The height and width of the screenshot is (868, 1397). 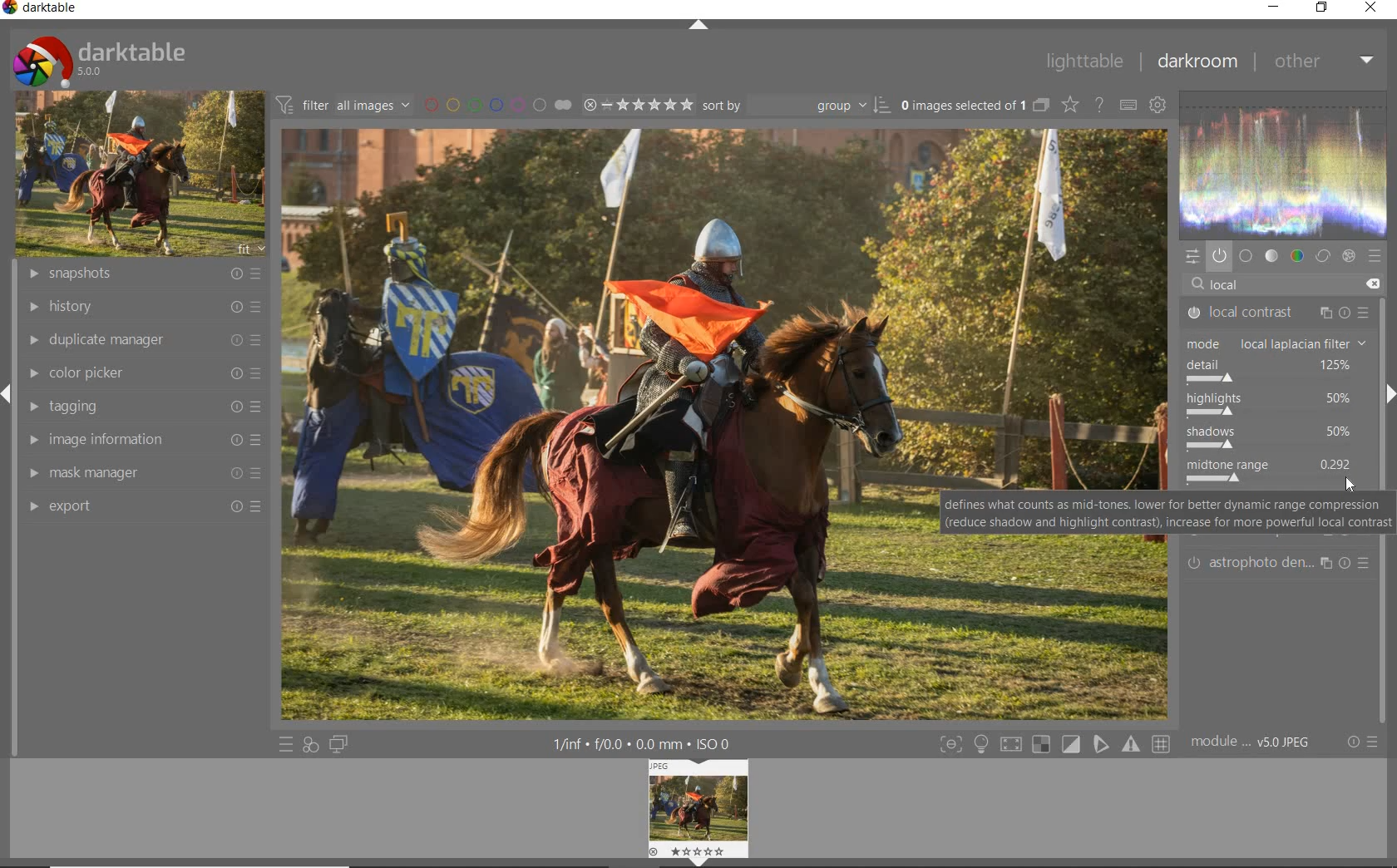 I want to click on snapshots, so click(x=142, y=275).